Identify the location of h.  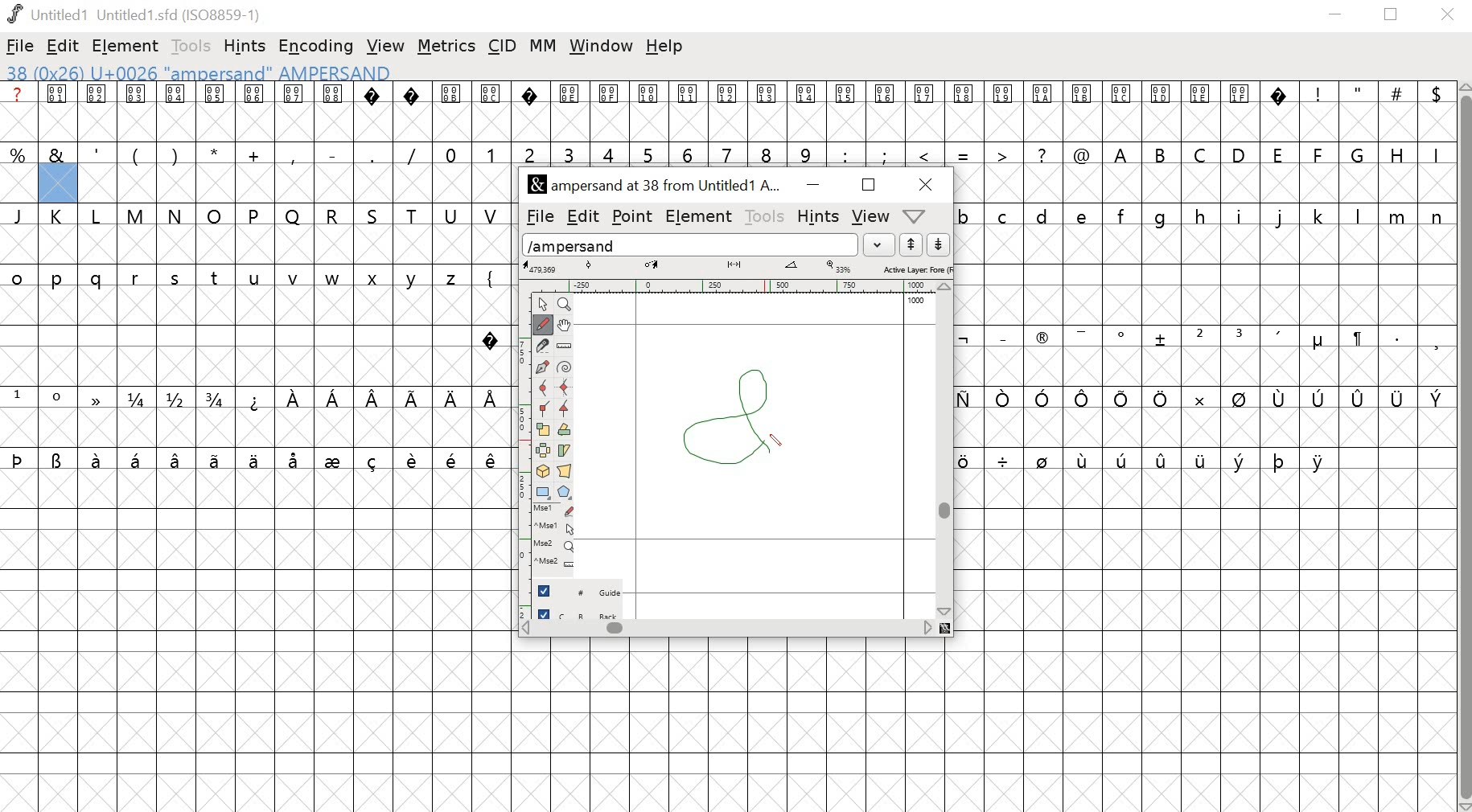
(1201, 215).